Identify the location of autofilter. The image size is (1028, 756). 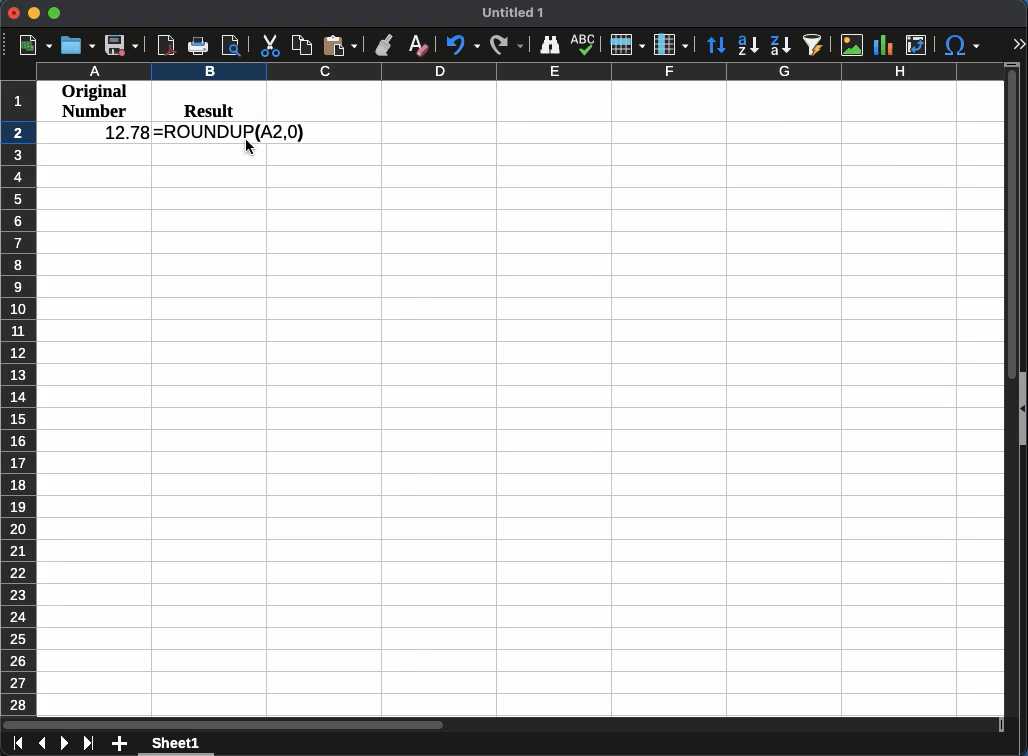
(815, 44).